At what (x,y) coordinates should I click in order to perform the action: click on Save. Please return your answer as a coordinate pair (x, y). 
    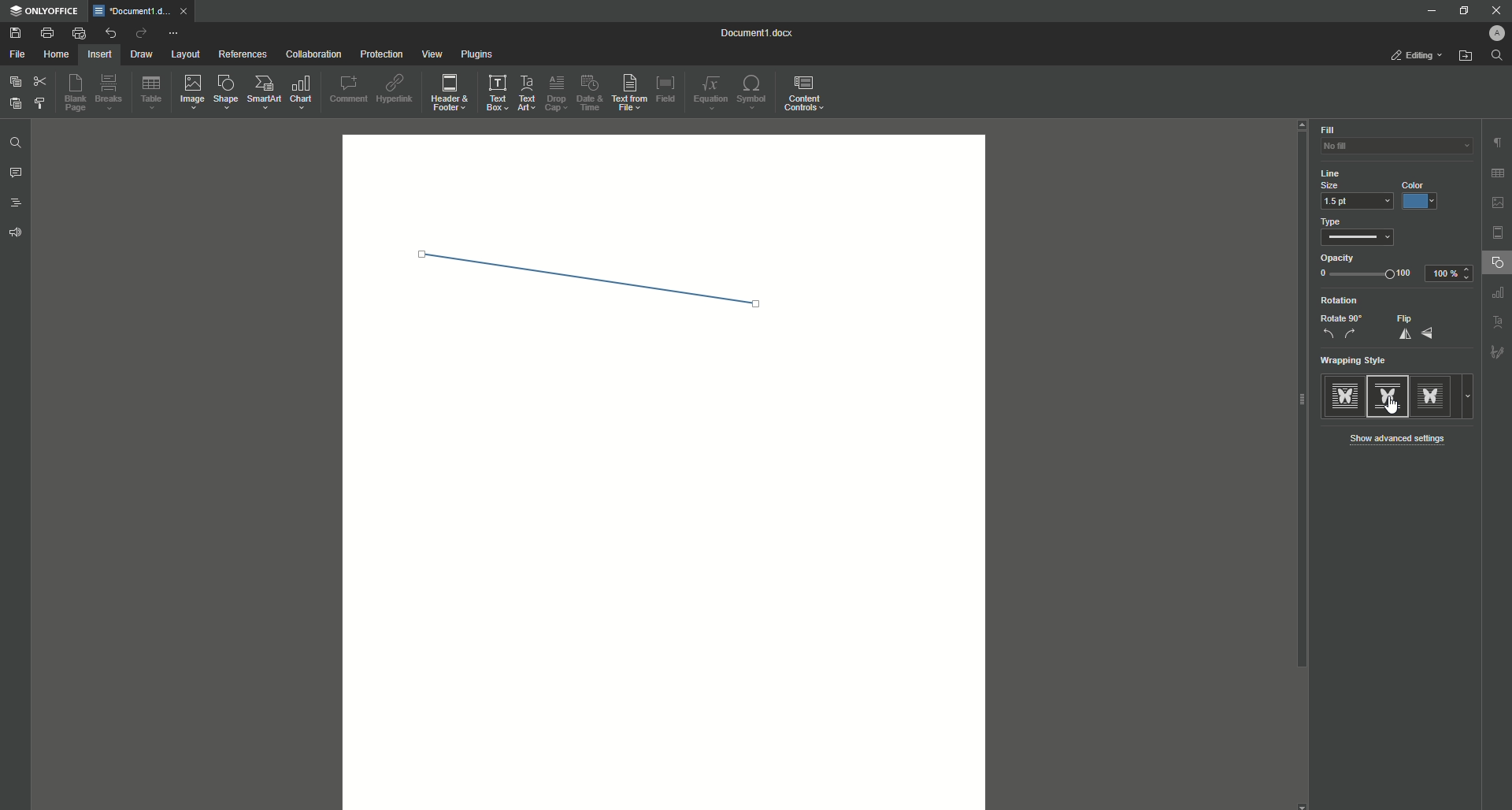
    Looking at the image, I should click on (16, 33).